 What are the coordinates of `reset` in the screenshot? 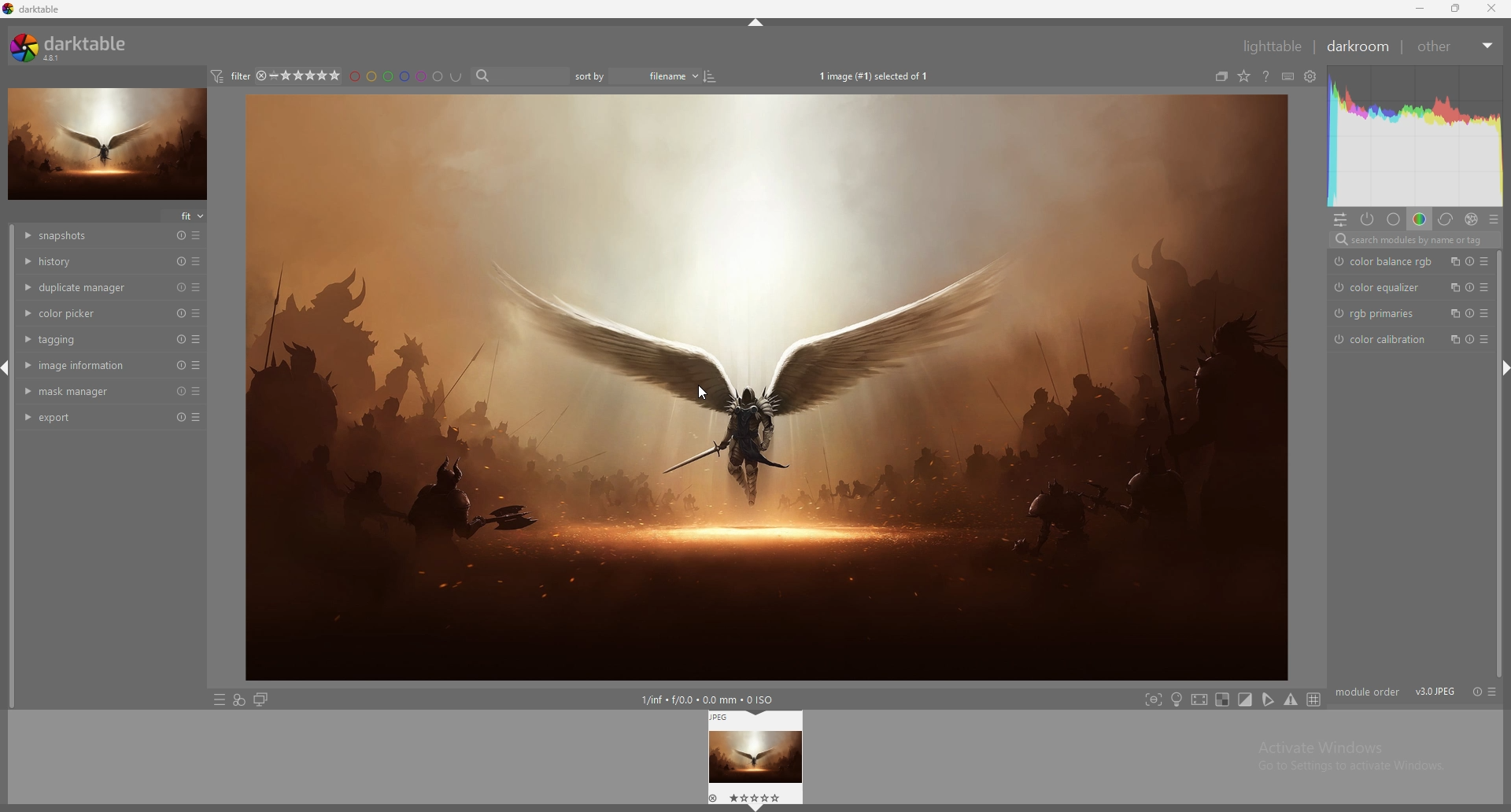 It's located at (181, 236).